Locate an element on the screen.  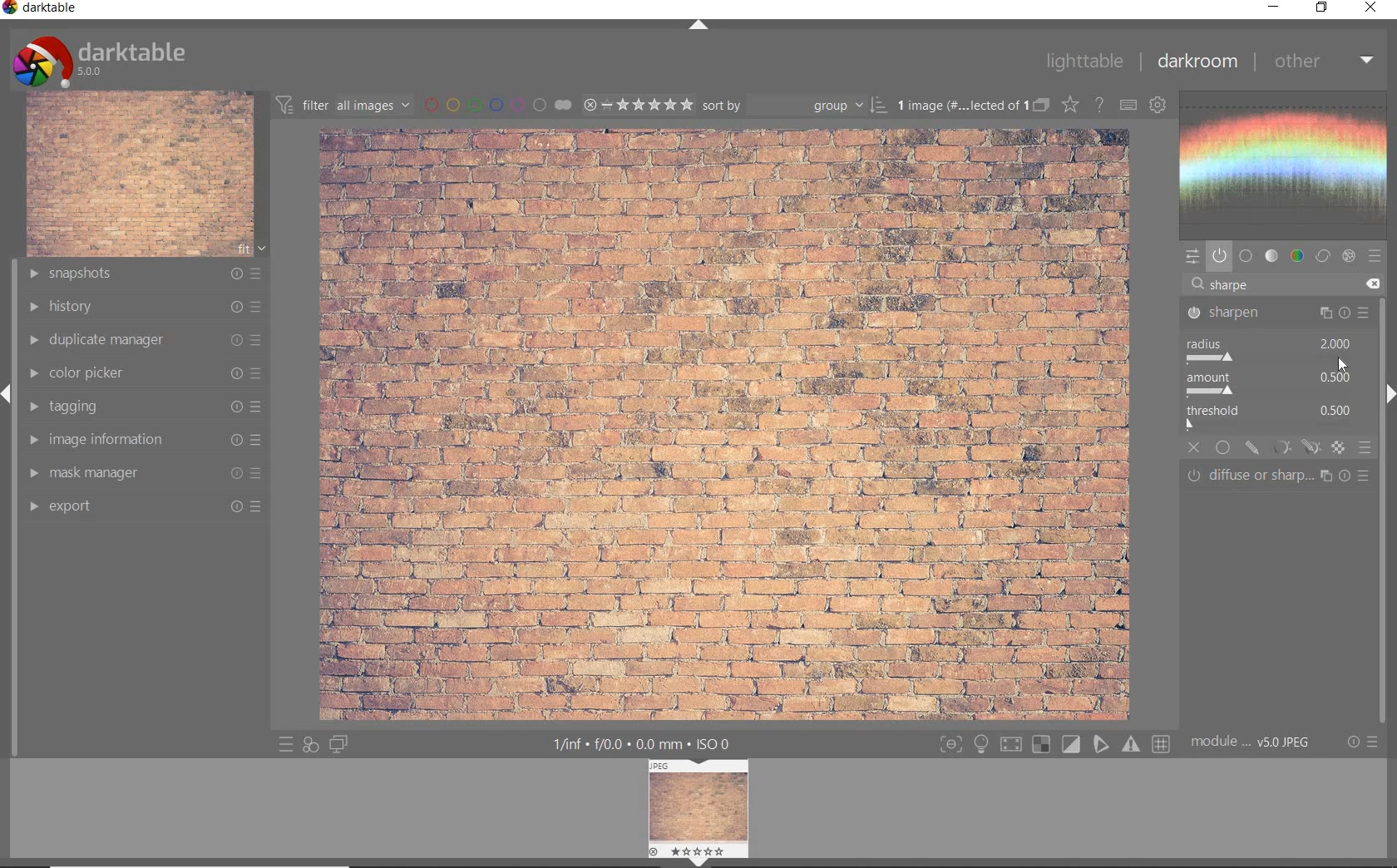
define keyboard shortcut is located at coordinates (1127, 106).